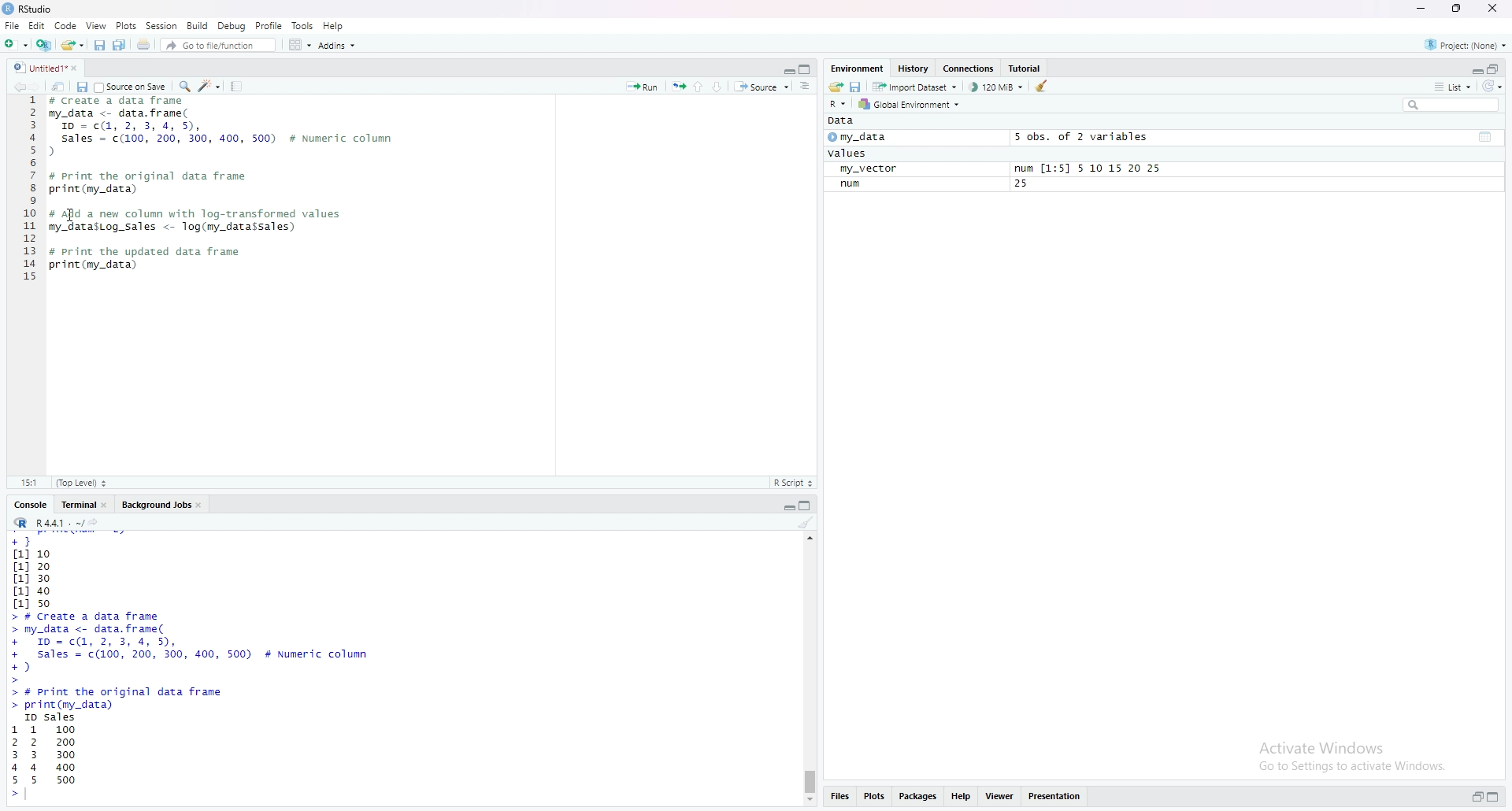 This screenshot has width=1512, height=811. Describe the element at coordinates (853, 185) in the screenshot. I see `num` at that location.